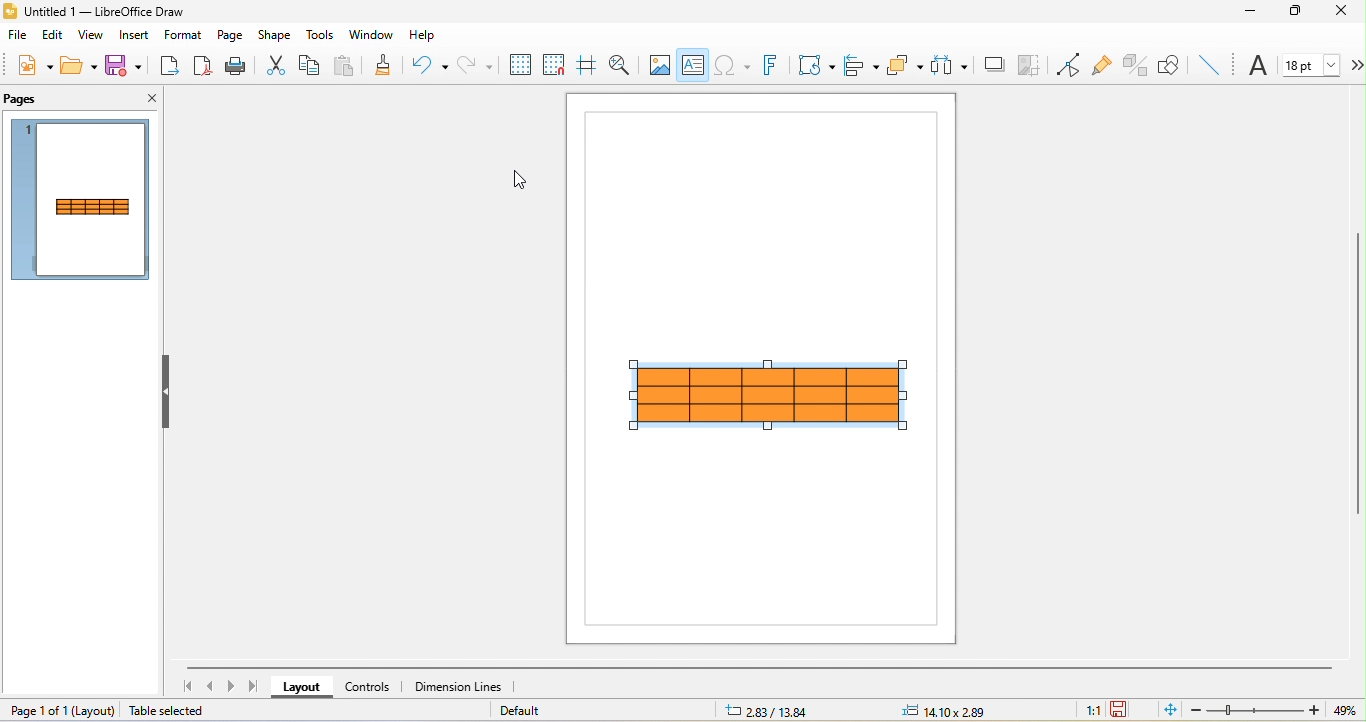  Describe the element at coordinates (1343, 711) in the screenshot. I see `49%` at that location.